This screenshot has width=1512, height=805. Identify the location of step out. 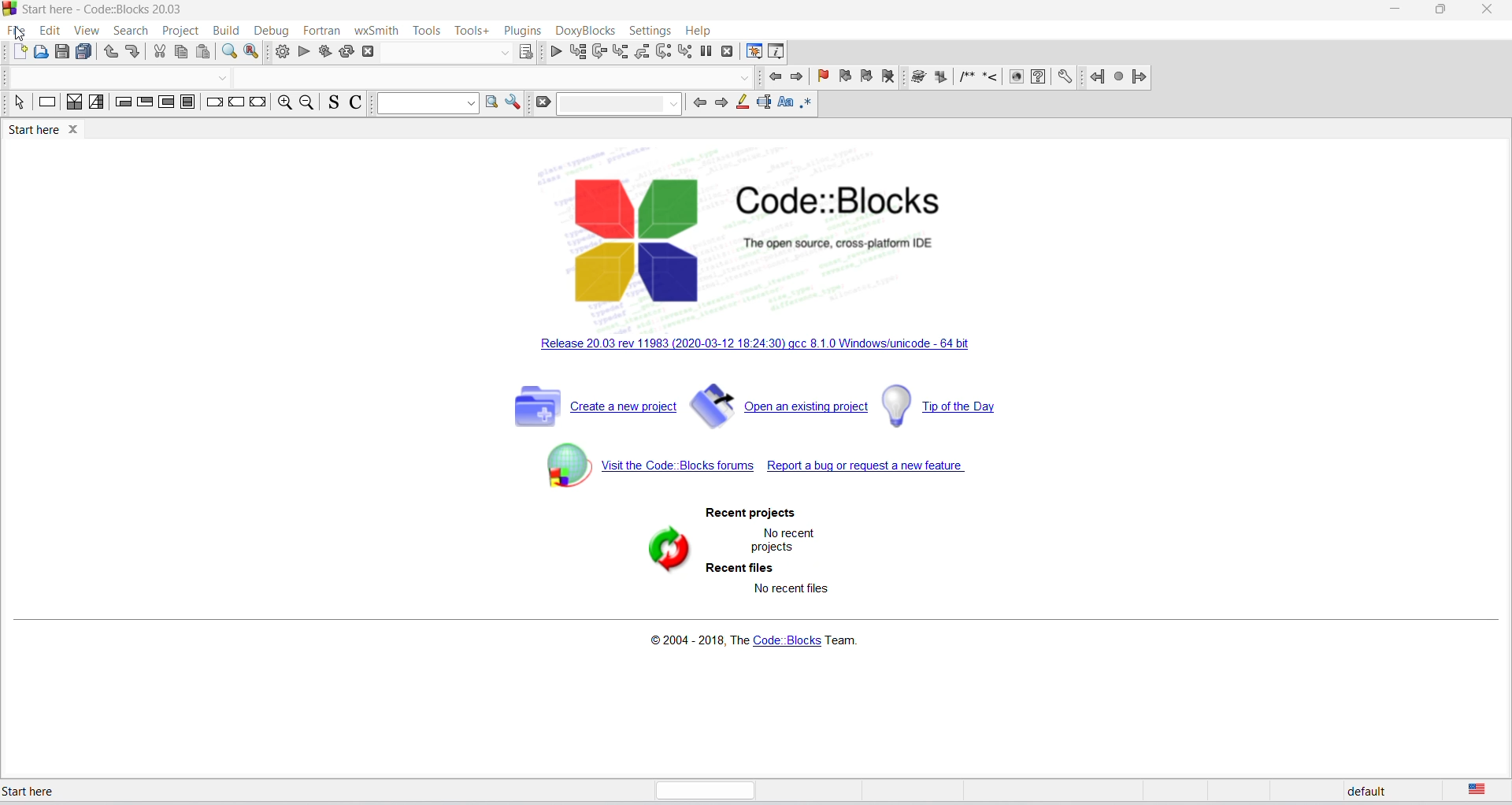
(642, 52).